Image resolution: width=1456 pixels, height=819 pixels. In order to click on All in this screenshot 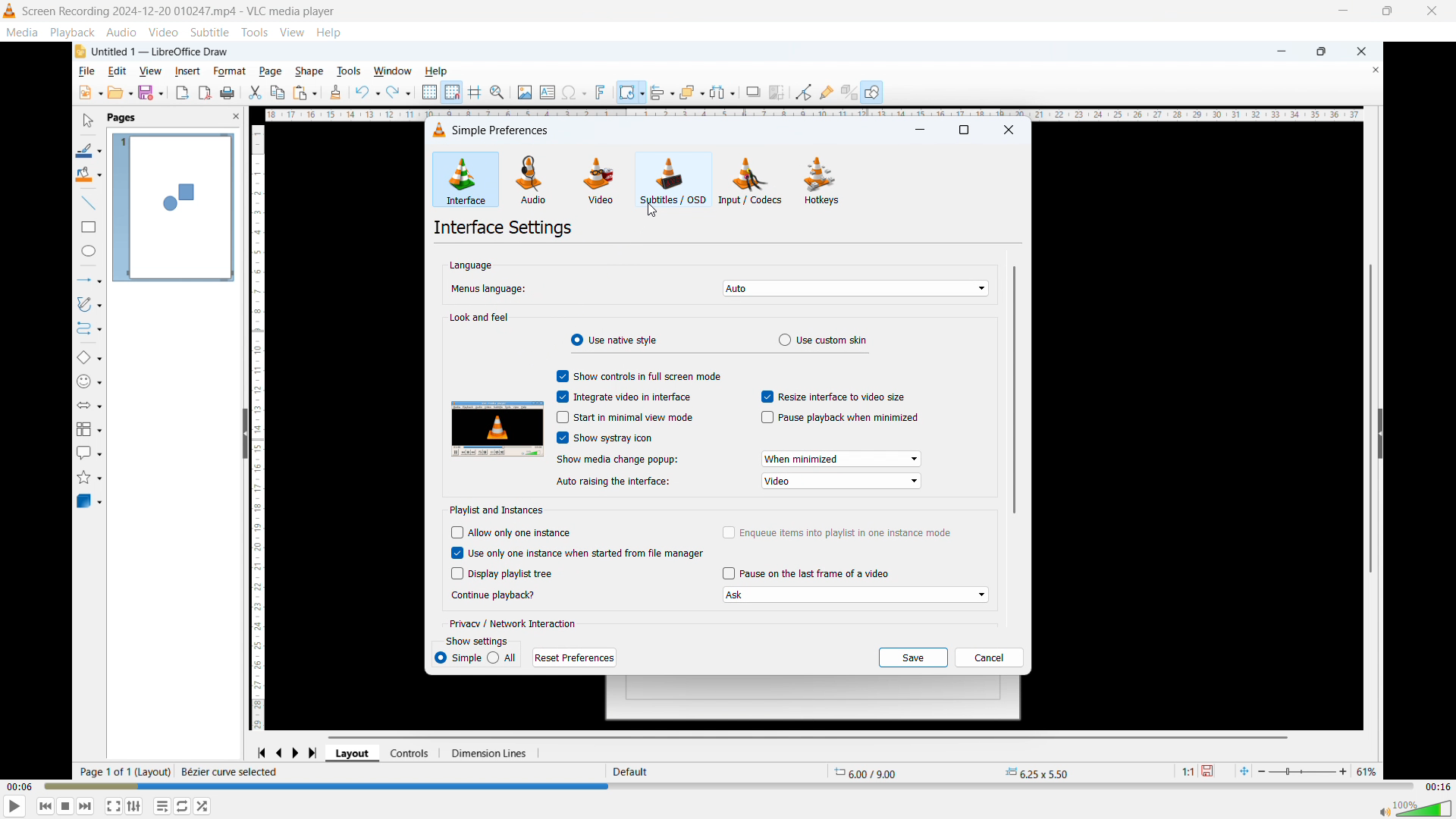, I will do `click(504, 658)`.